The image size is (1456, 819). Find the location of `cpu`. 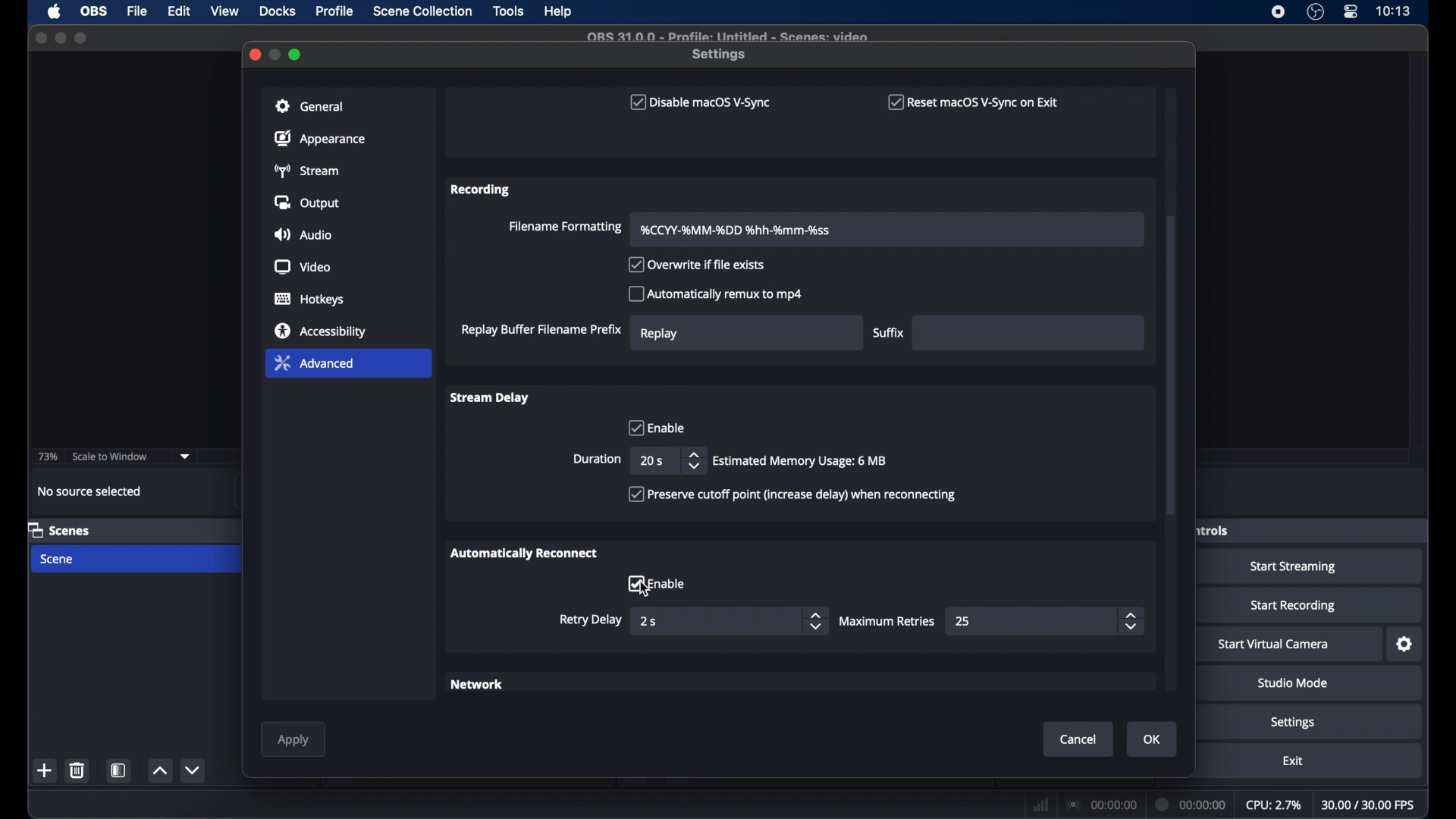

cpu is located at coordinates (1274, 805).